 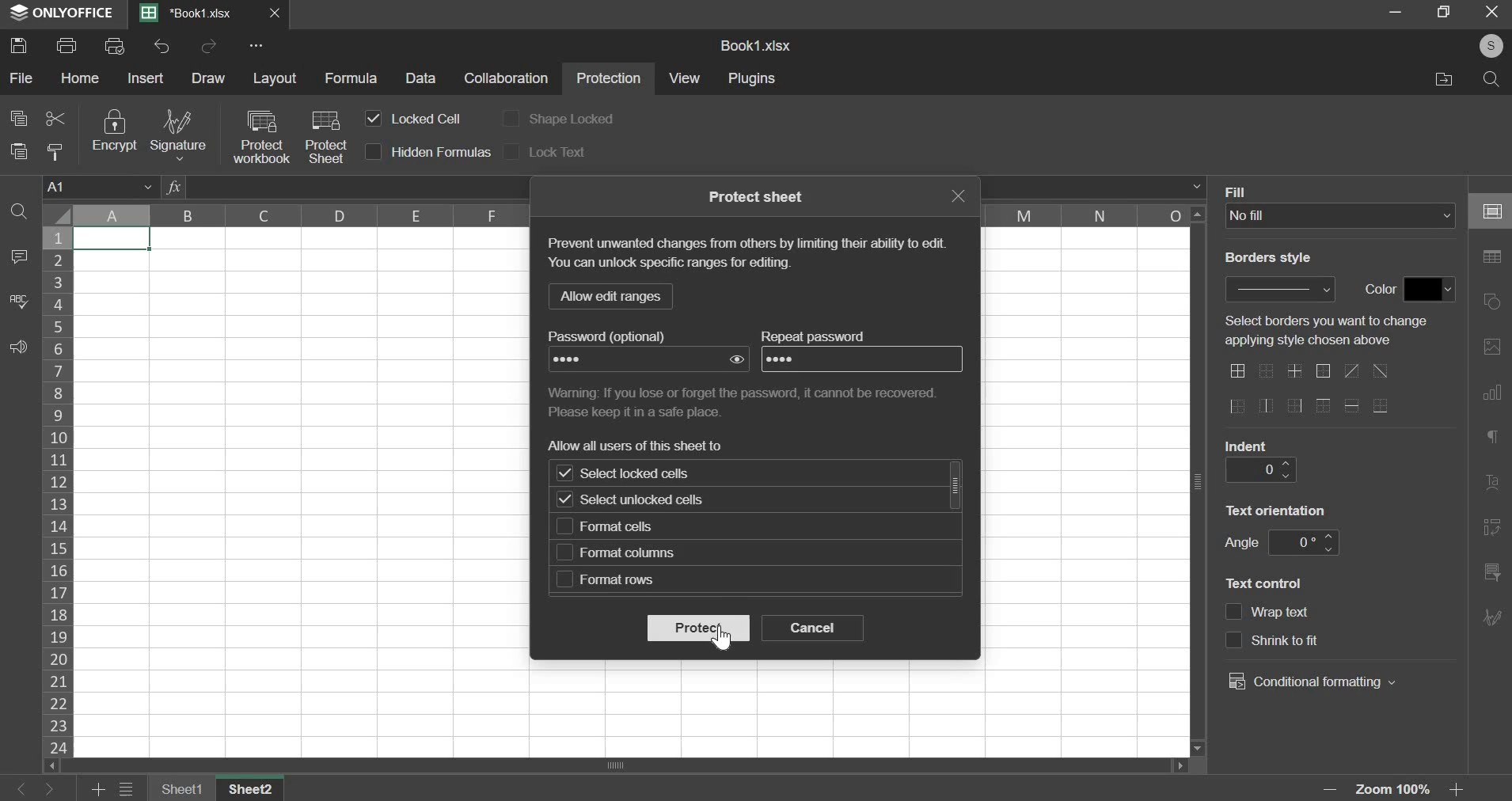 What do you see at coordinates (564, 526) in the screenshot?
I see `checkbox` at bounding box center [564, 526].